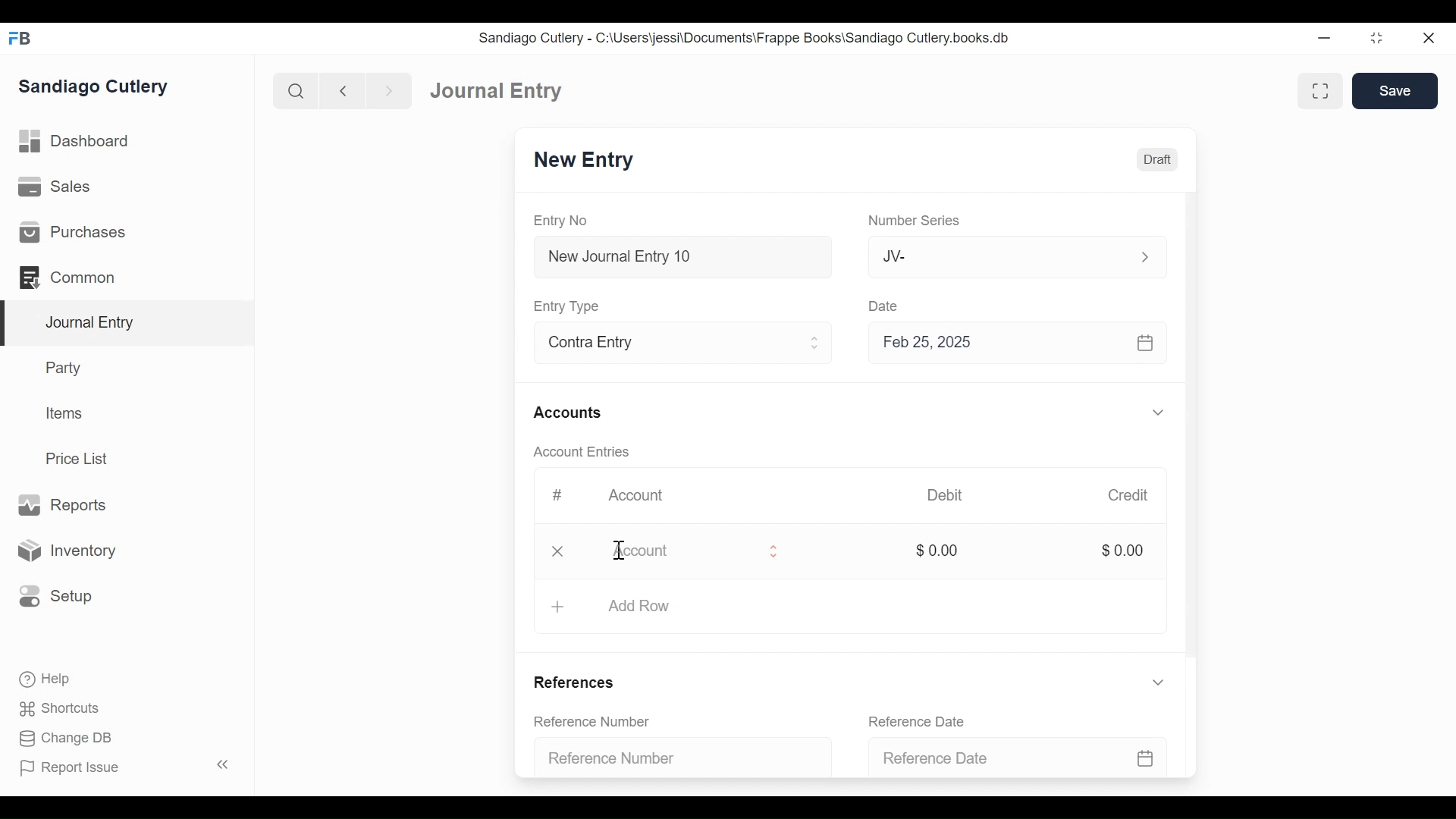  What do you see at coordinates (747, 39) in the screenshot?
I see `Sandiago Cutlery - C:\Users\jessi\Documents\Frappe Books\Sandiago Cutlery.books.db` at bounding box center [747, 39].